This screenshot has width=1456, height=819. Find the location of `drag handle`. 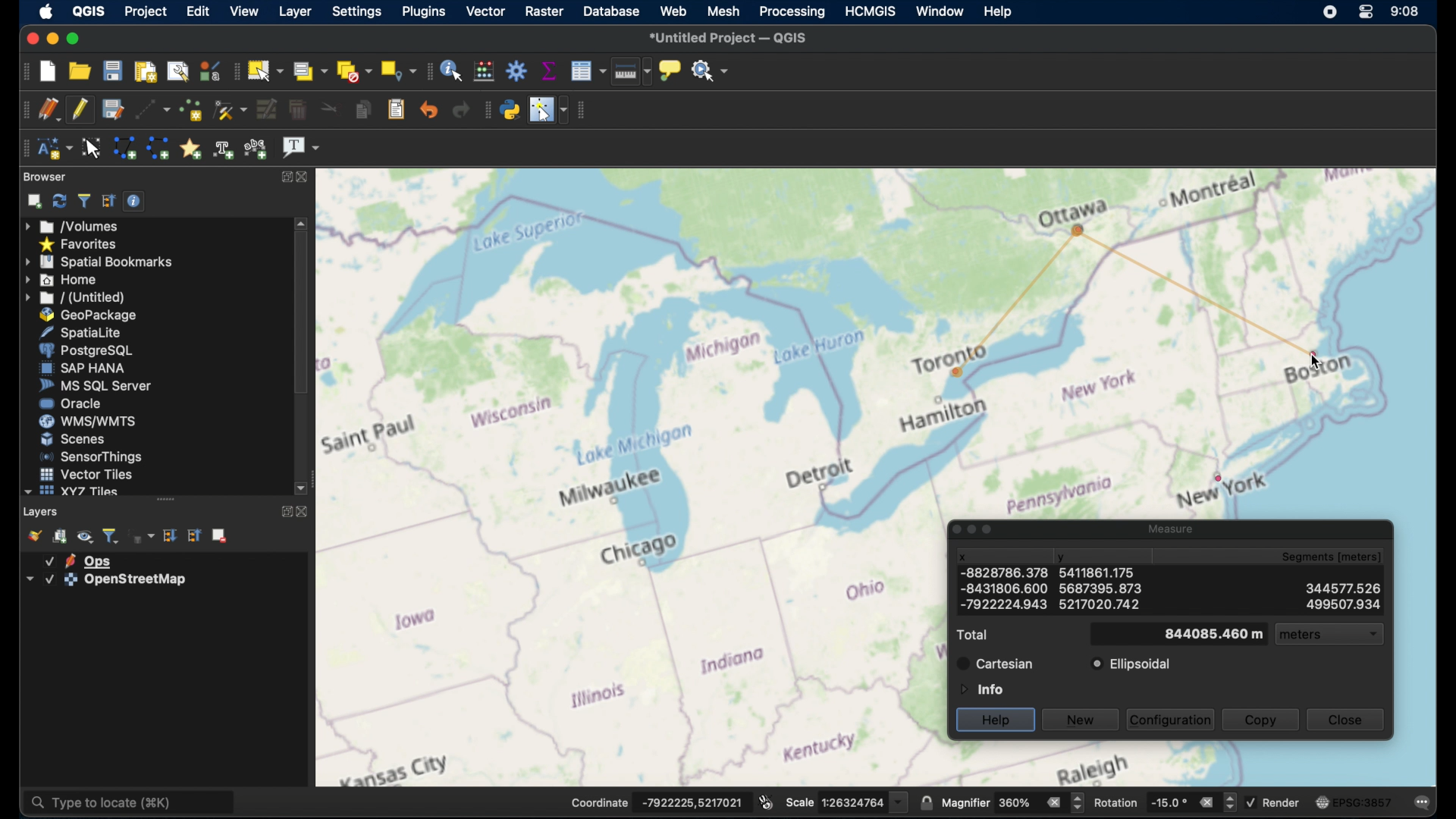

drag handle is located at coordinates (165, 499).